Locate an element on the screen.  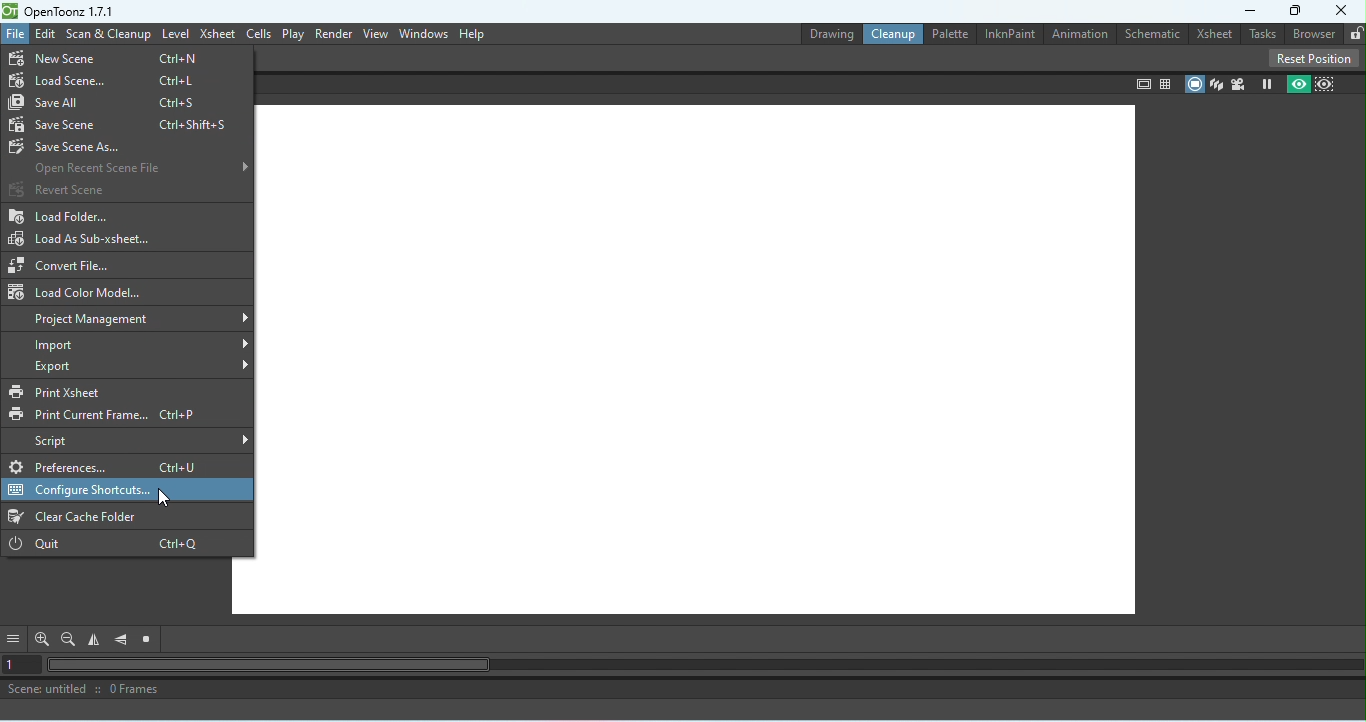
Save scene as is located at coordinates (88, 144).